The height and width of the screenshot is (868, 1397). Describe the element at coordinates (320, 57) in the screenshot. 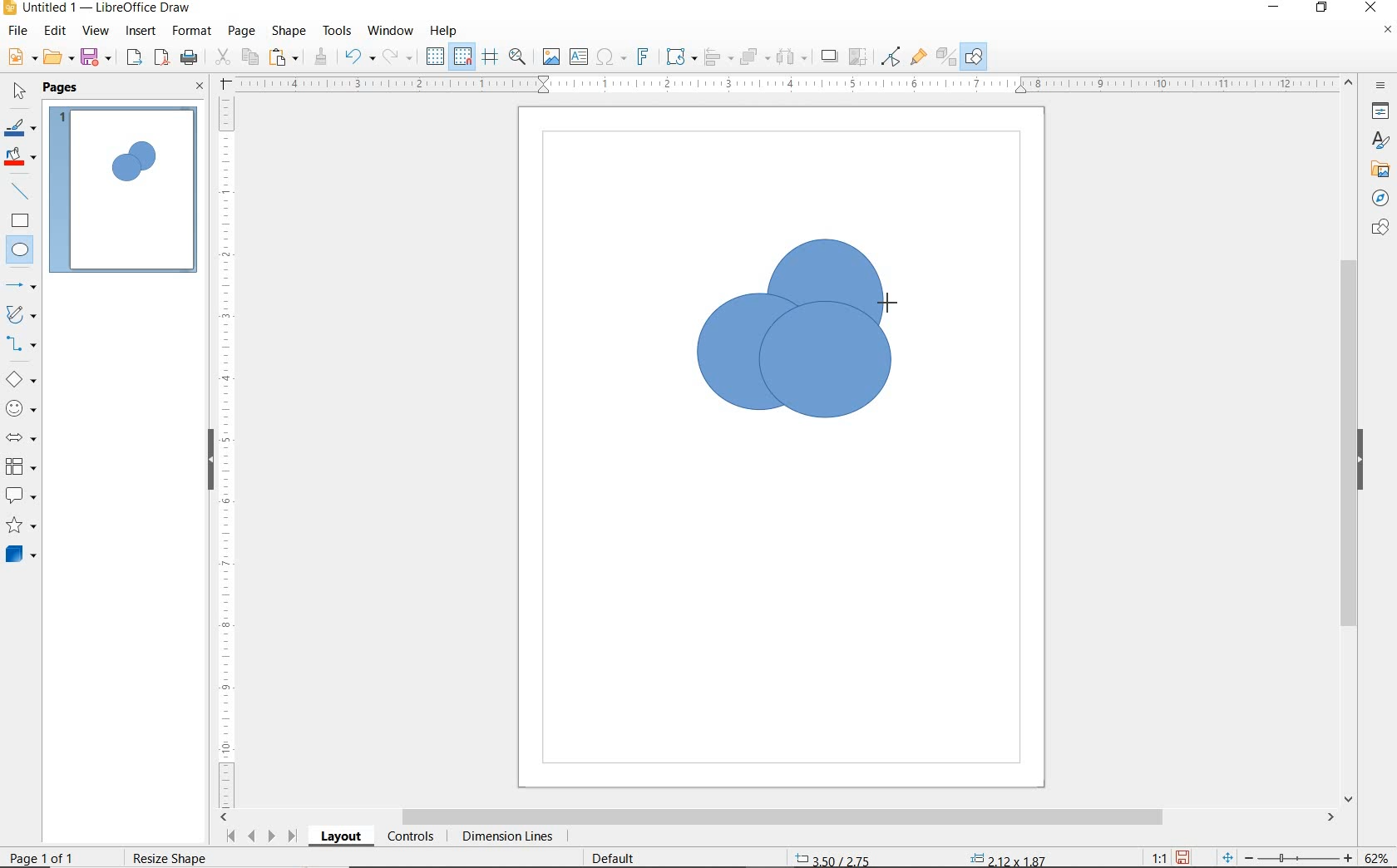

I see `CLONE FORMATTING` at that location.